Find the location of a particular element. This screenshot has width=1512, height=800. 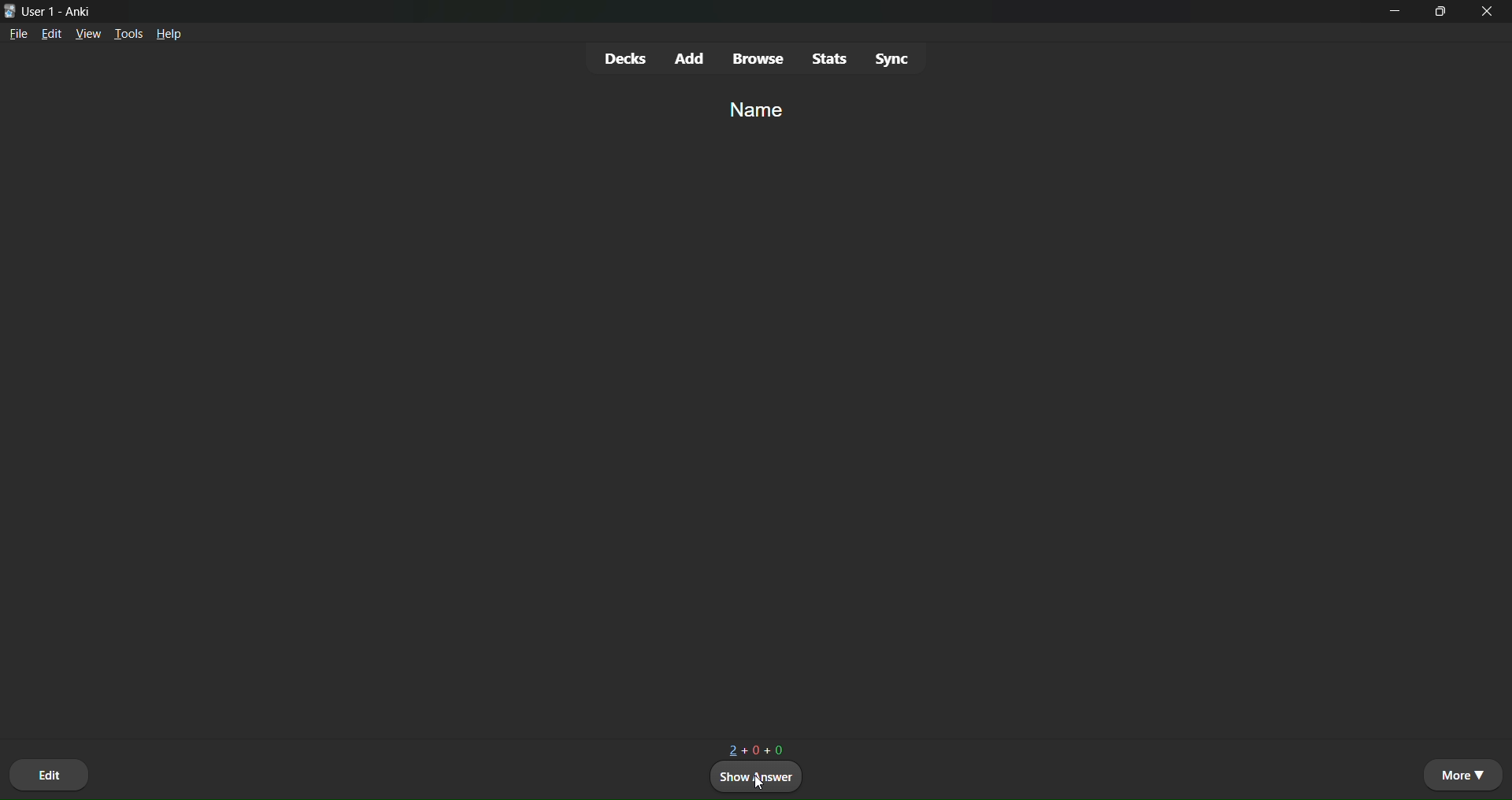

add is located at coordinates (691, 56).